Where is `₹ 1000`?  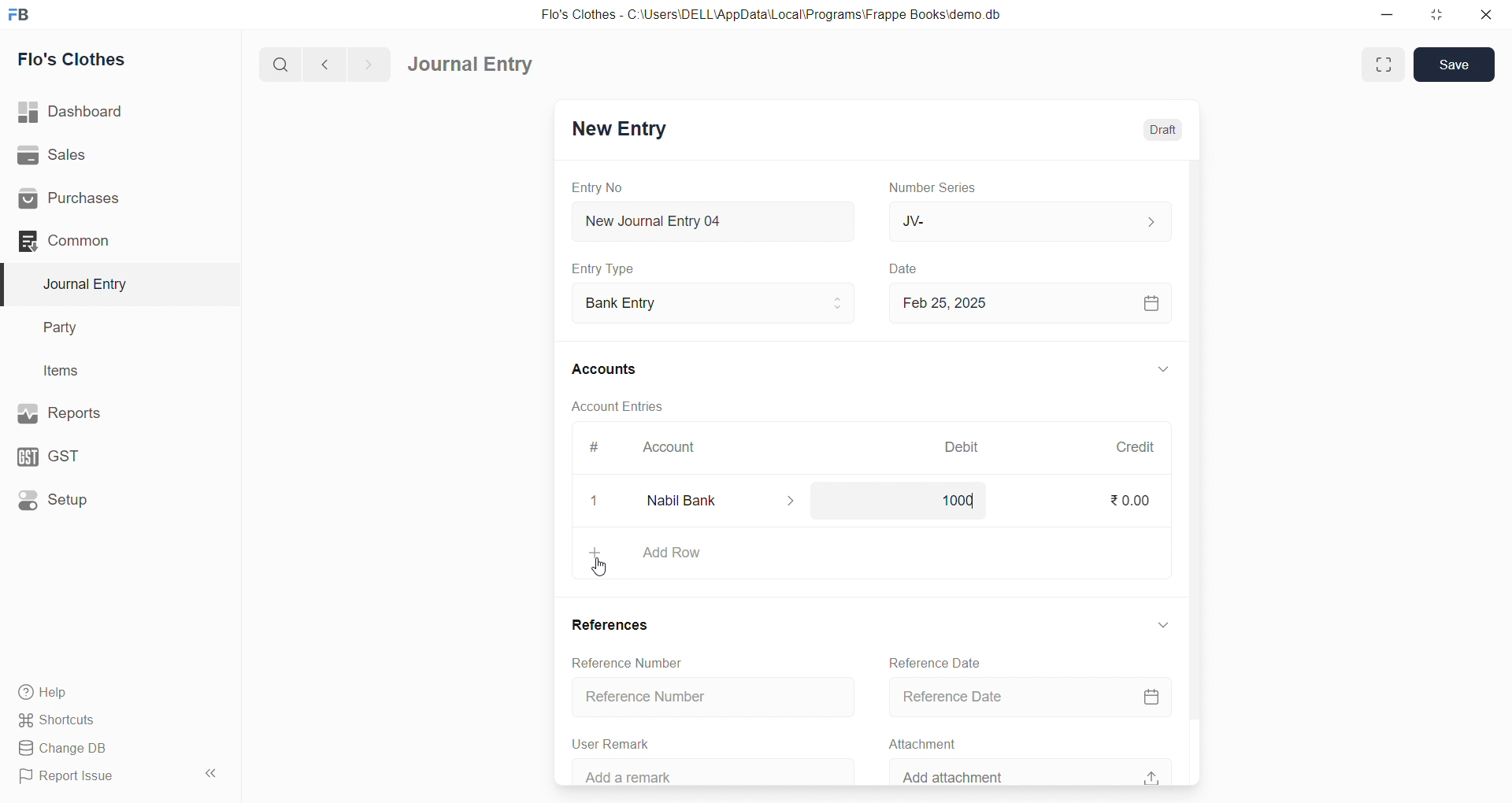 ₹ 1000 is located at coordinates (950, 499).